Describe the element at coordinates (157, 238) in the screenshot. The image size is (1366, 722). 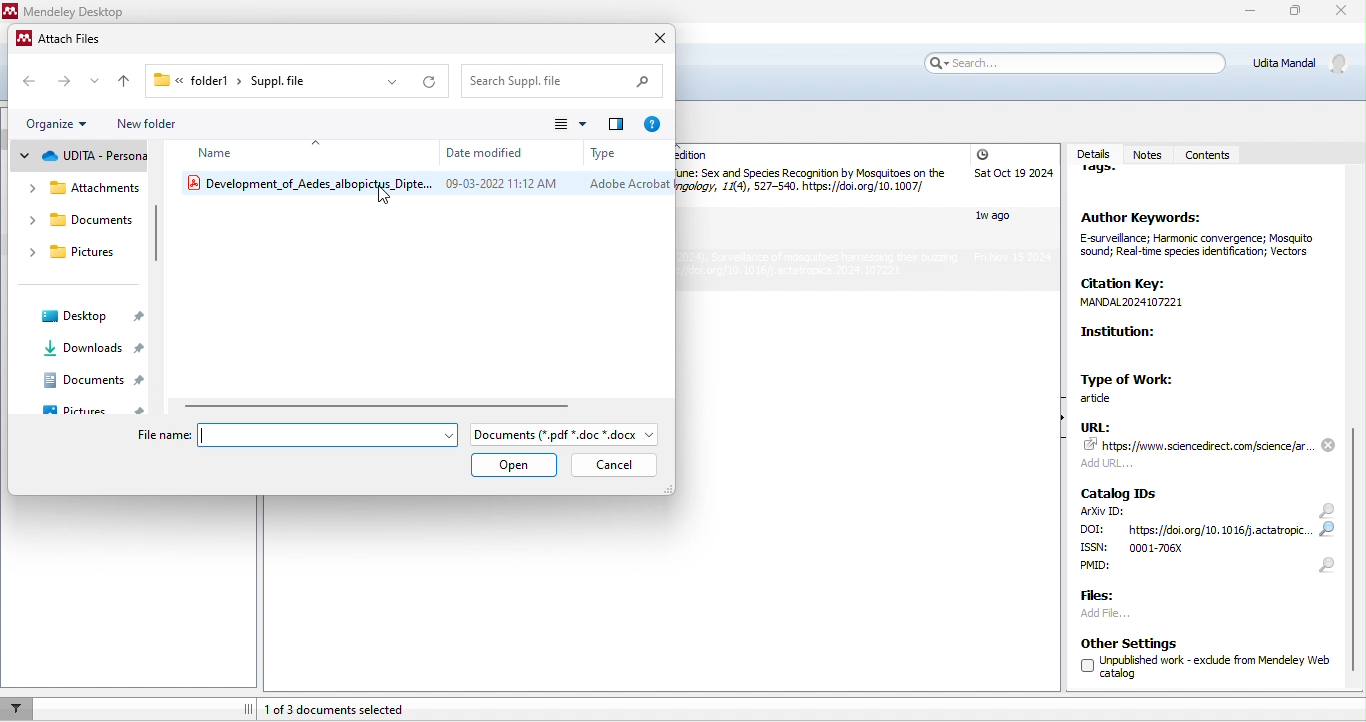
I see `vertical scroll bar` at that location.